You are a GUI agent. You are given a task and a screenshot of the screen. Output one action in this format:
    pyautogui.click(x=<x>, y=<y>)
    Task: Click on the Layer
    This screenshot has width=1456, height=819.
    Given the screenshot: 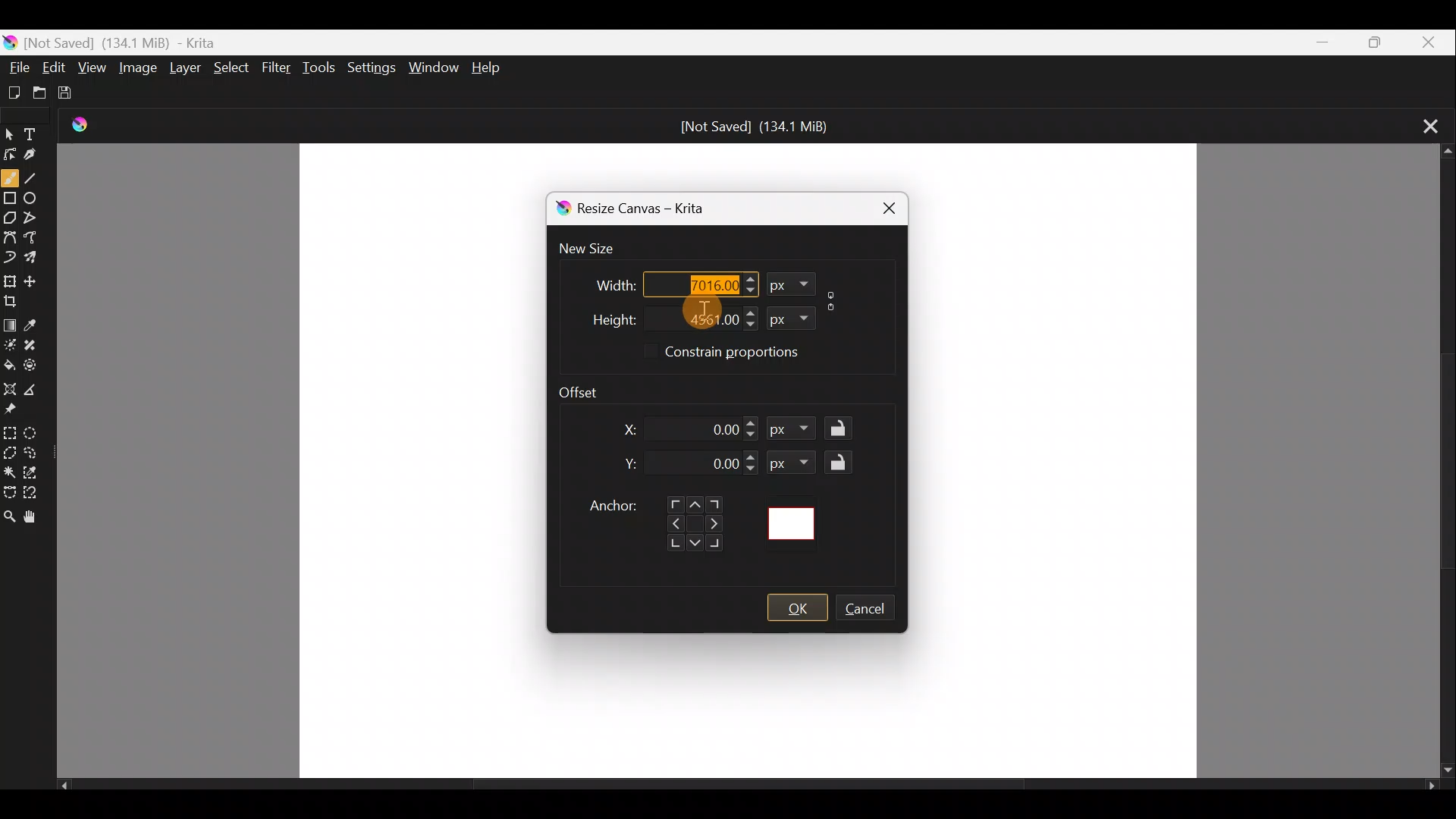 What is the action you would take?
    pyautogui.click(x=187, y=71)
    